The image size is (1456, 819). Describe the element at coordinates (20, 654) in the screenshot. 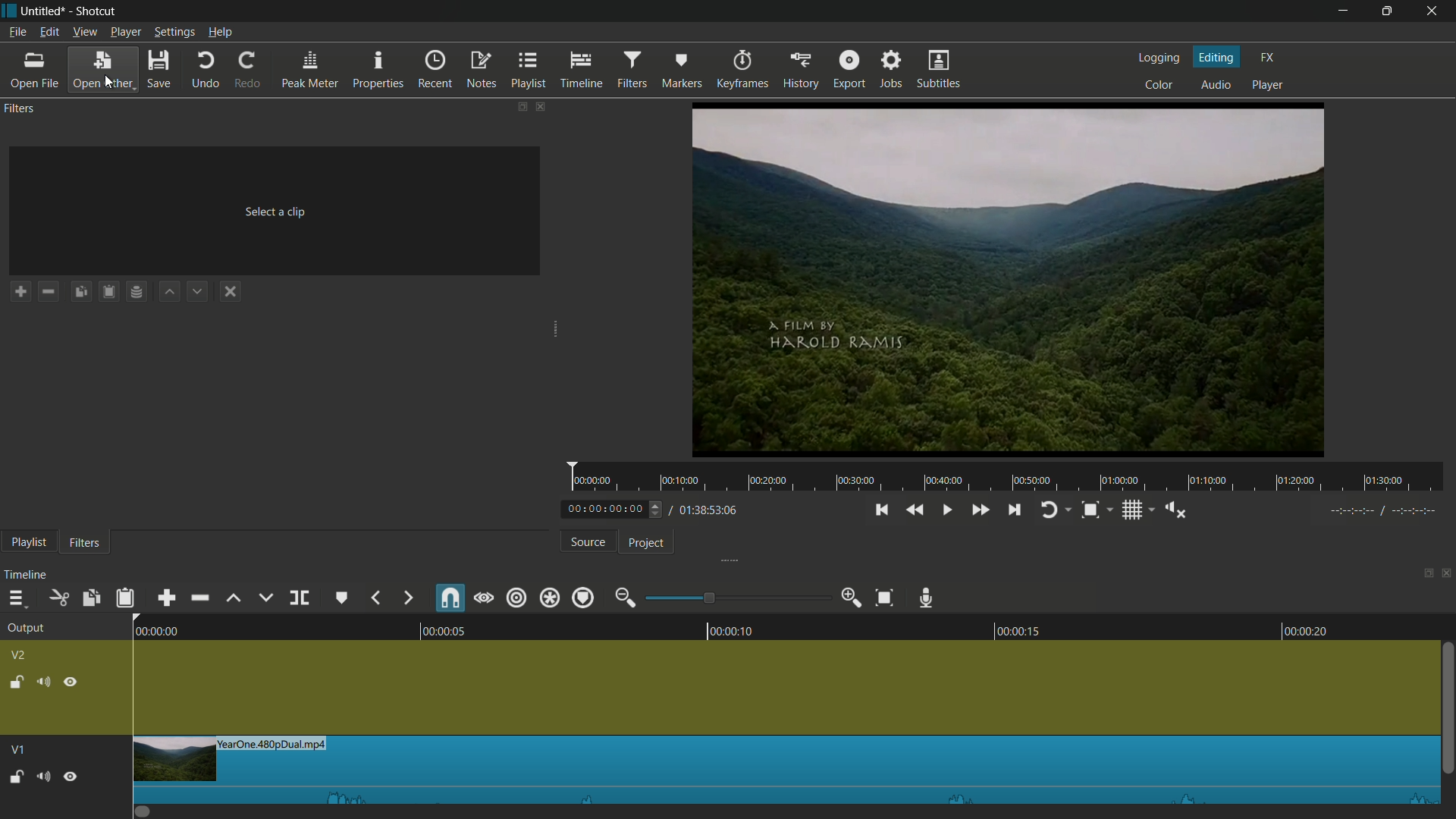

I see `v2` at that location.